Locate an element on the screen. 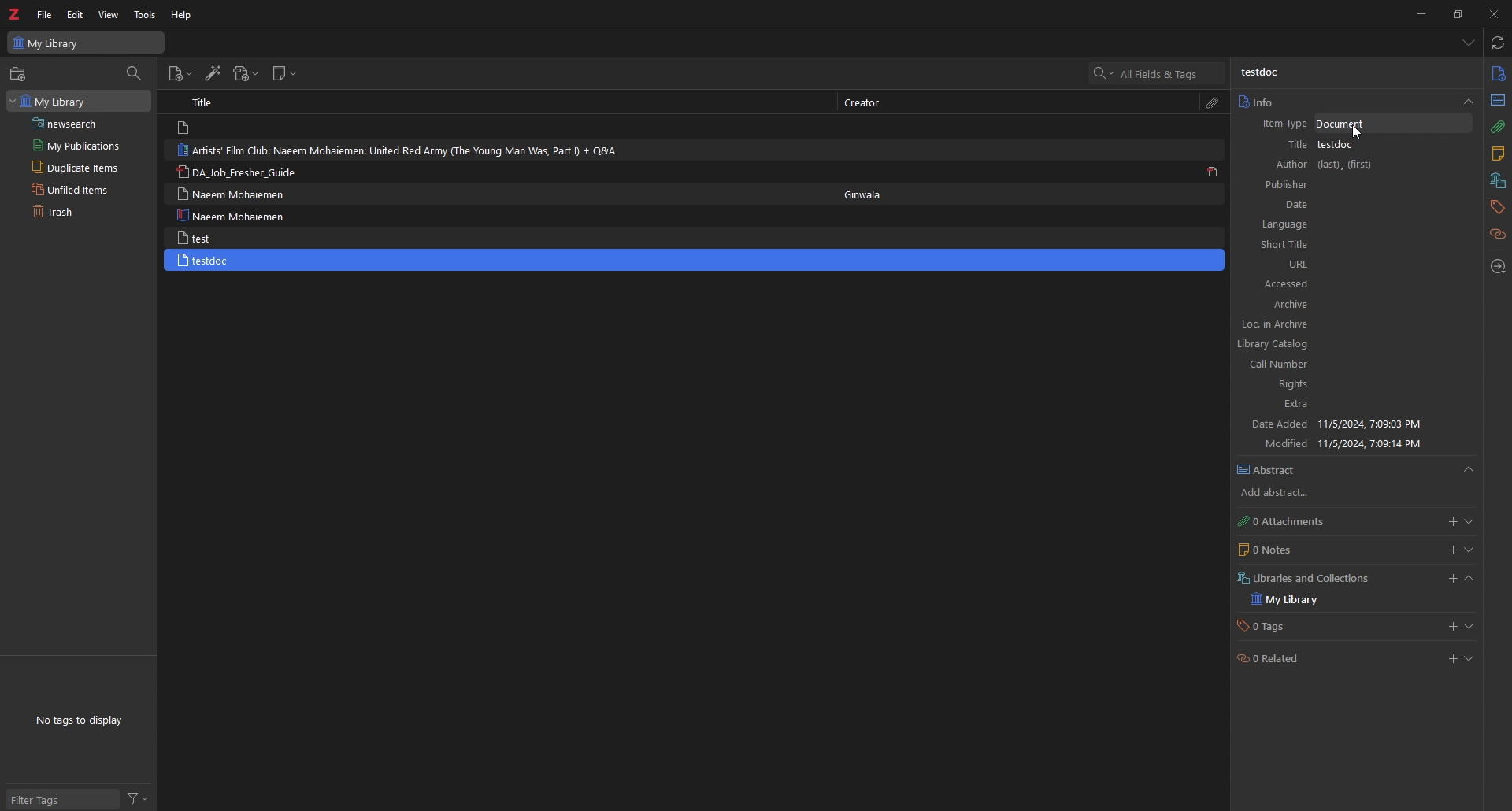 This screenshot has height=811, width=1512. list all items is located at coordinates (1469, 43).